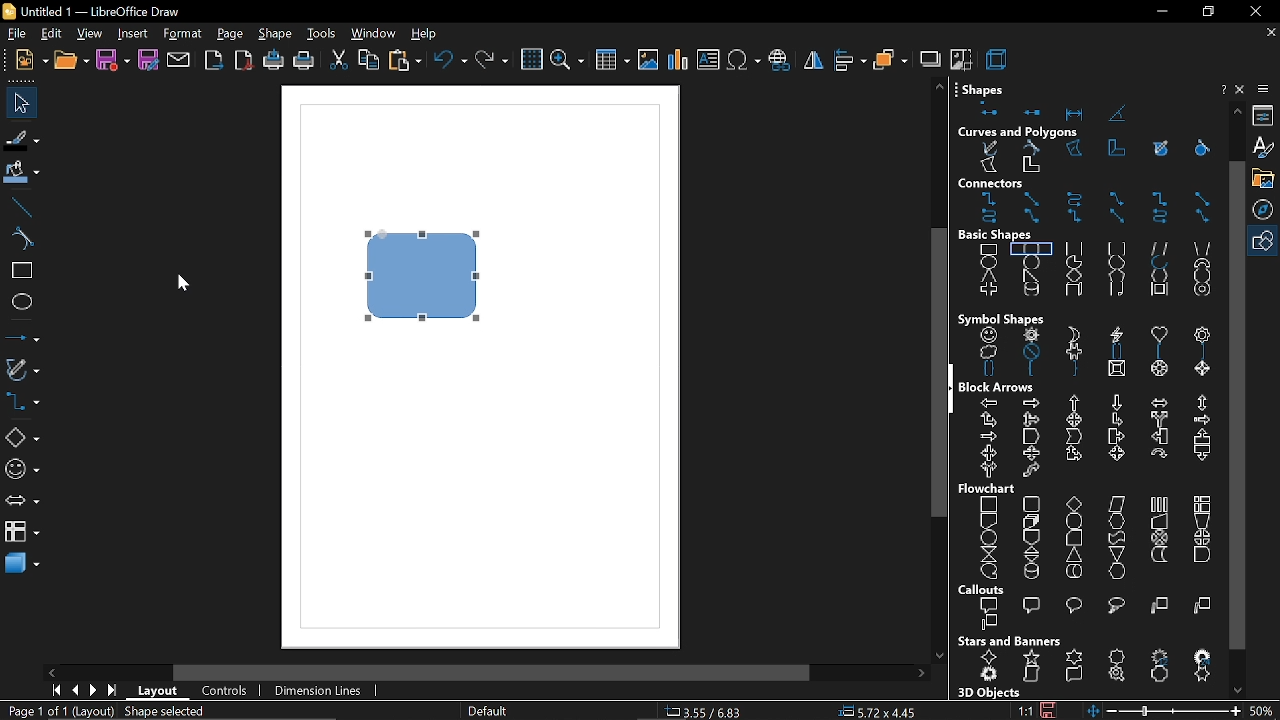 This screenshot has width=1280, height=720. I want to click on align, so click(851, 59).